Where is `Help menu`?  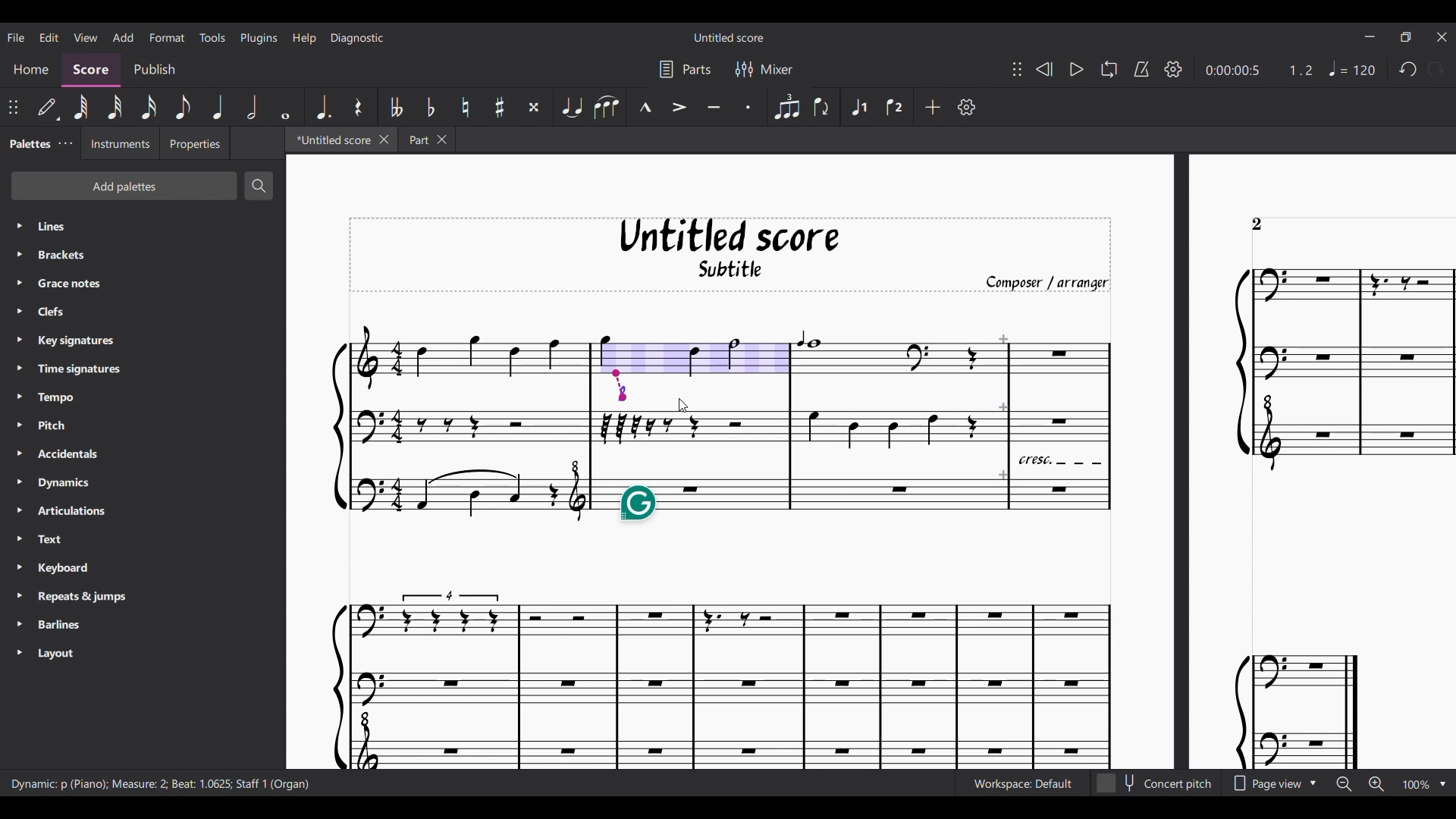 Help menu is located at coordinates (304, 38).